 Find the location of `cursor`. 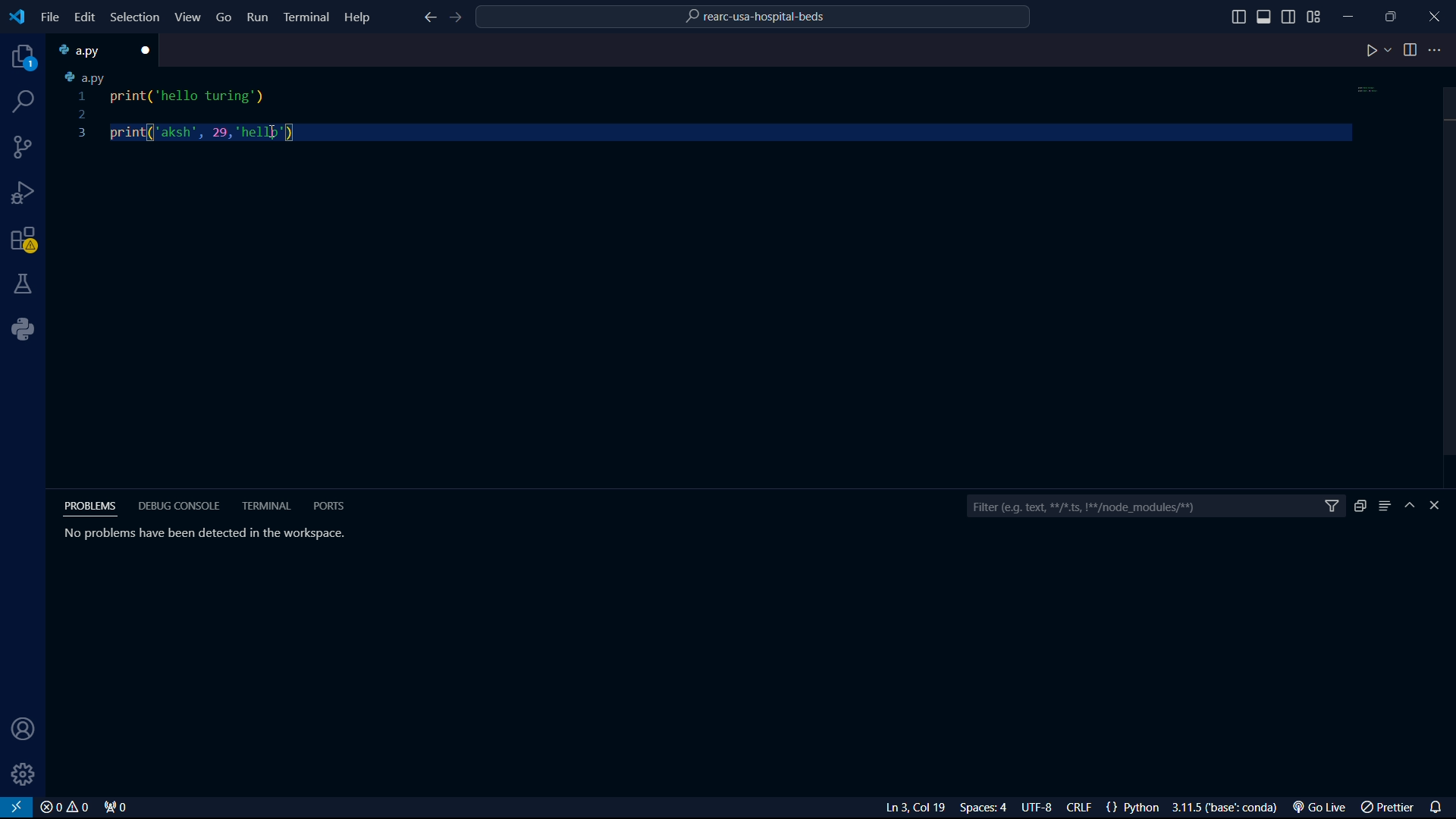

cursor is located at coordinates (261, 136).